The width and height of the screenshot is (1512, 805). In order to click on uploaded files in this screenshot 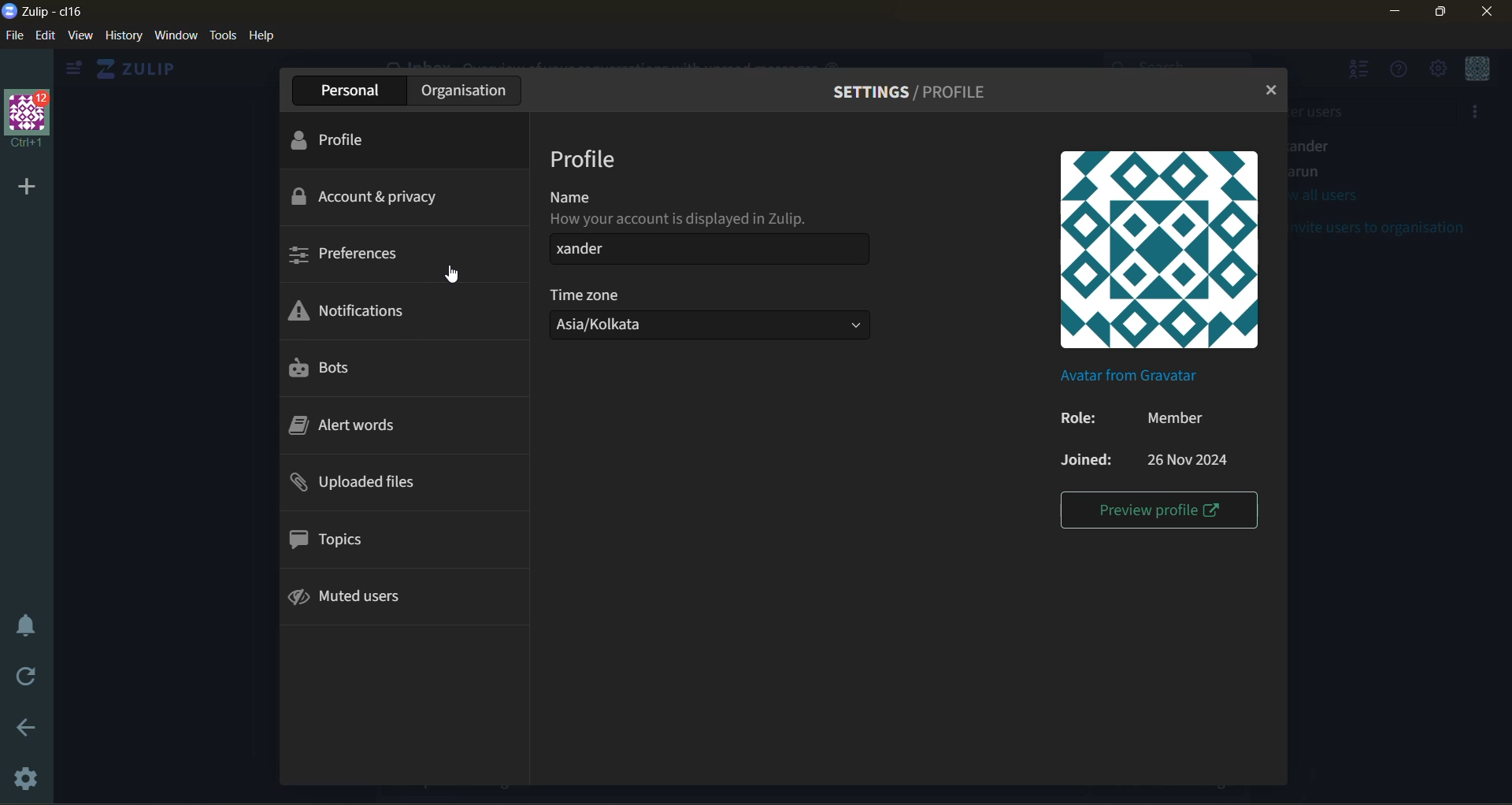, I will do `click(372, 484)`.